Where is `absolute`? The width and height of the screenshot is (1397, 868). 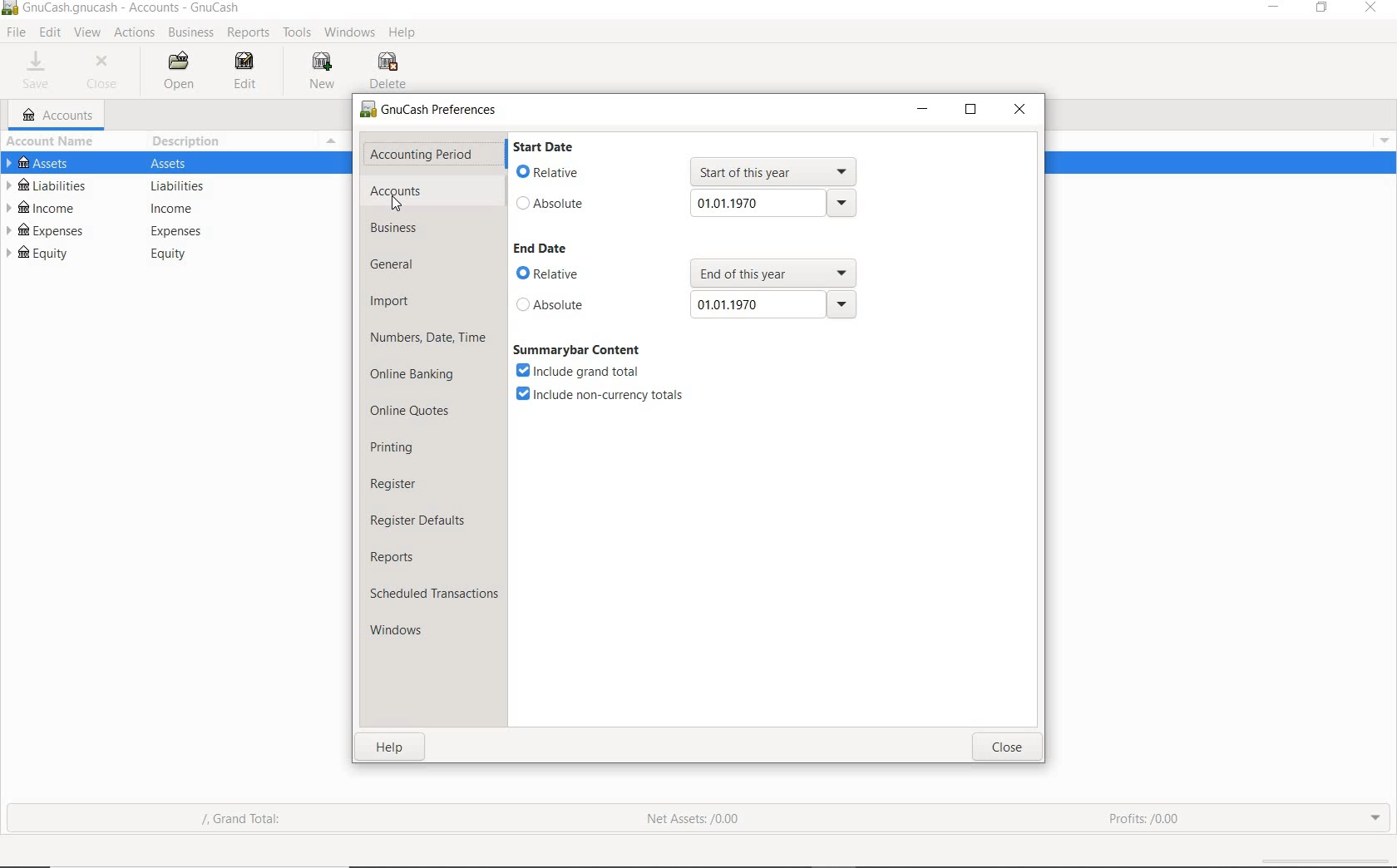 absolute is located at coordinates (555, 203).